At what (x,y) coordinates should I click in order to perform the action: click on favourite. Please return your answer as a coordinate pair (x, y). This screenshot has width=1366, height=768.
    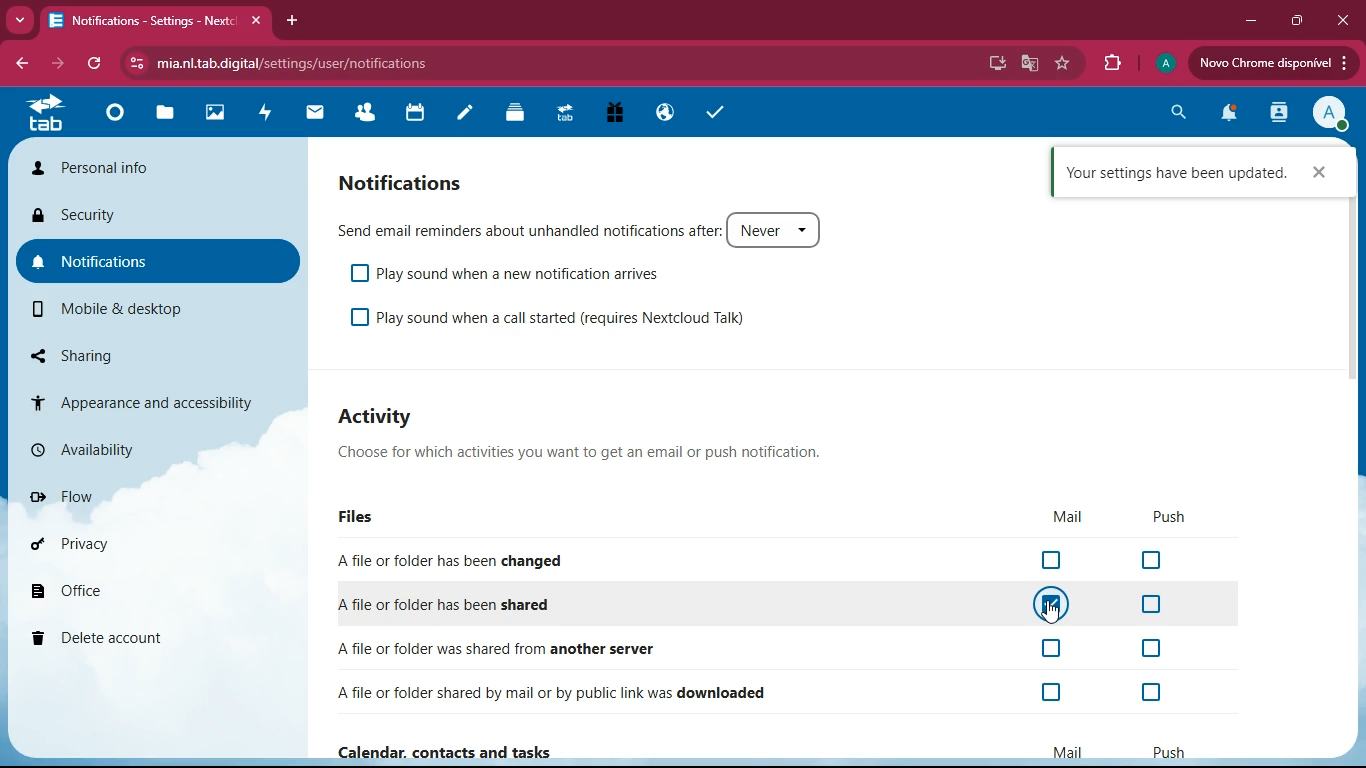
    Looking at the image, I should click on (1065, 64).